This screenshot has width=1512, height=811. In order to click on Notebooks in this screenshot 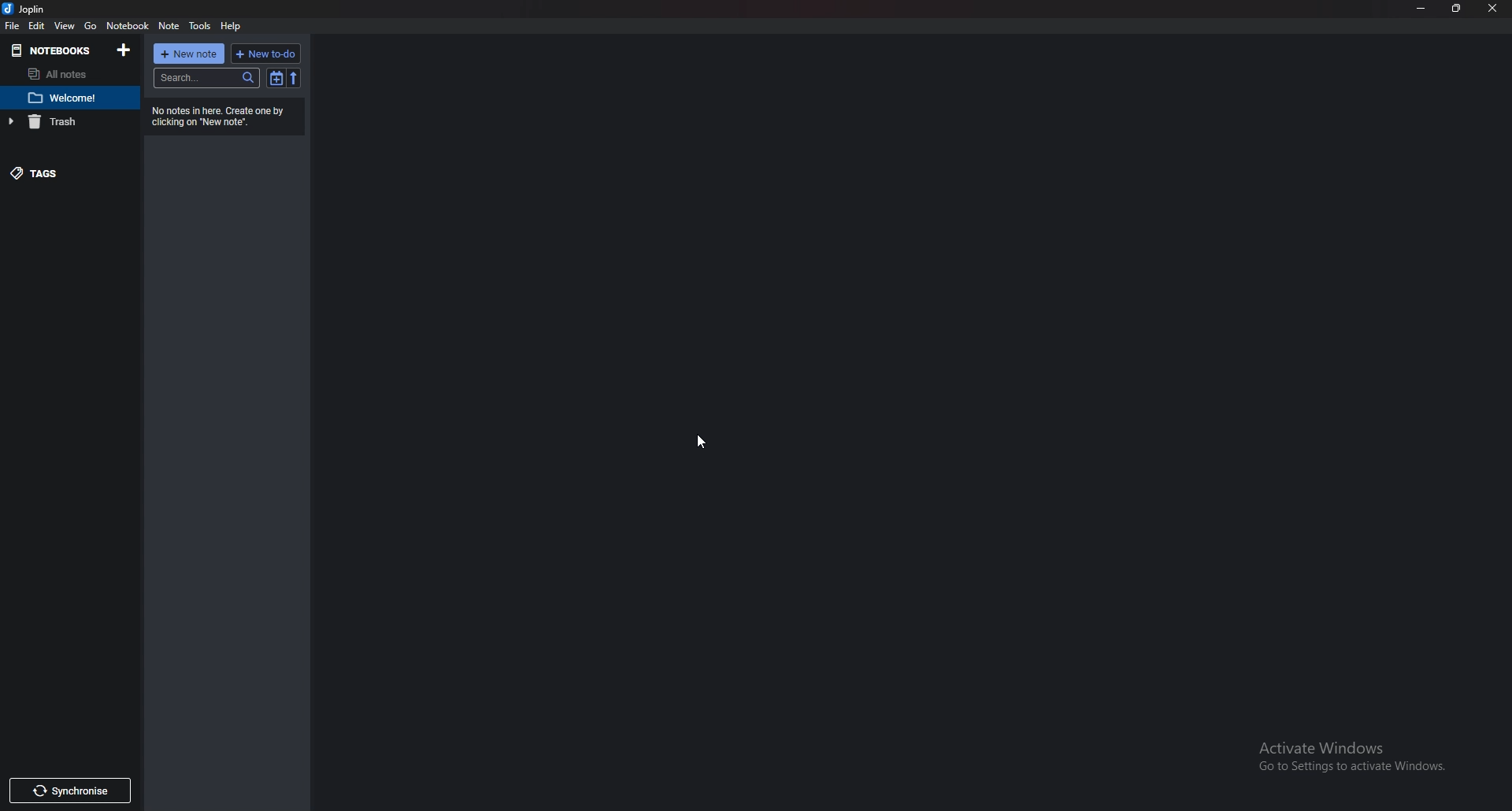, I will do `click(53, 52)`.